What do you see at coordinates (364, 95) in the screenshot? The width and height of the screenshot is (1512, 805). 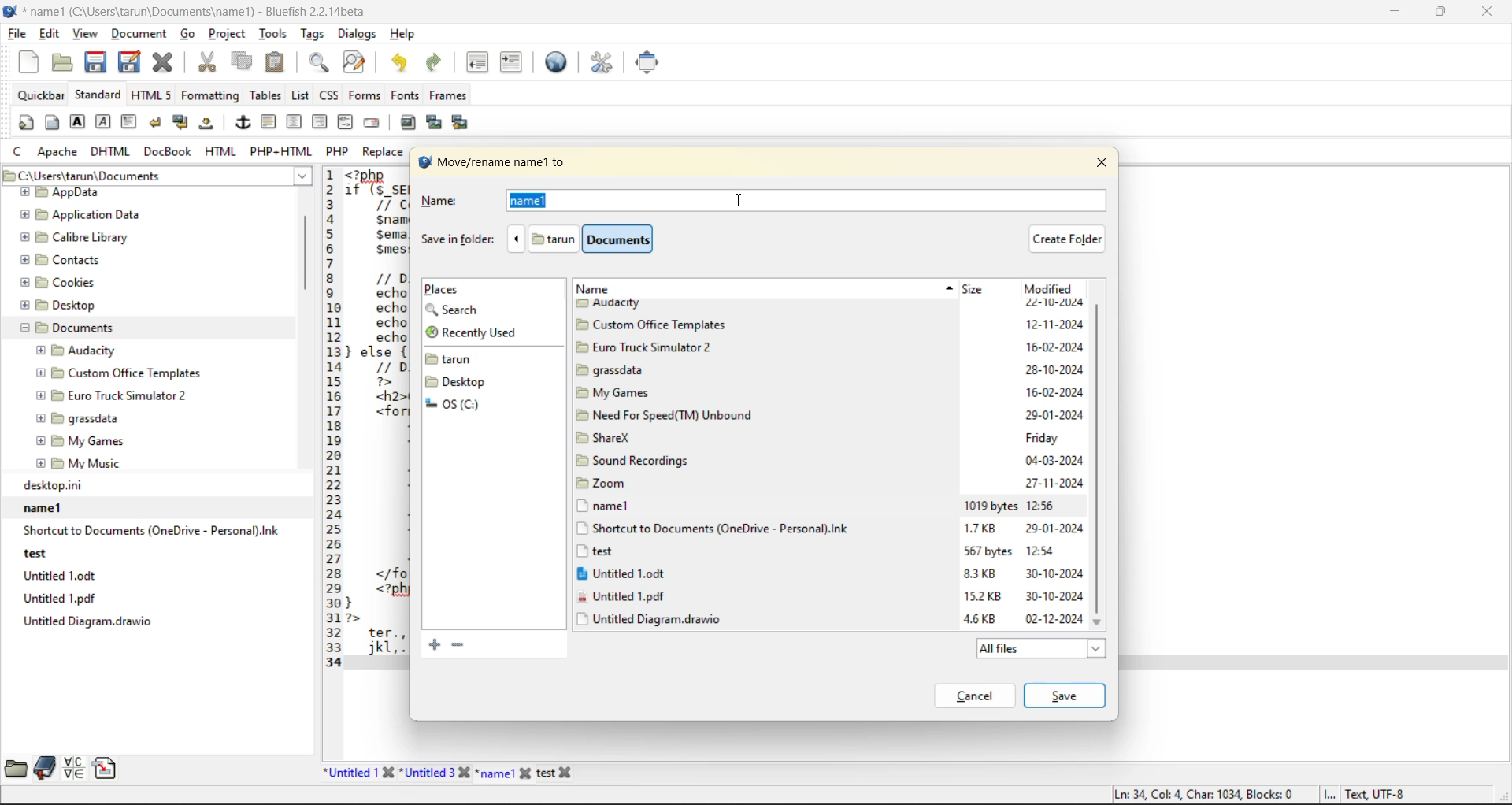 I see `forms` at bounding box center [364, 95].